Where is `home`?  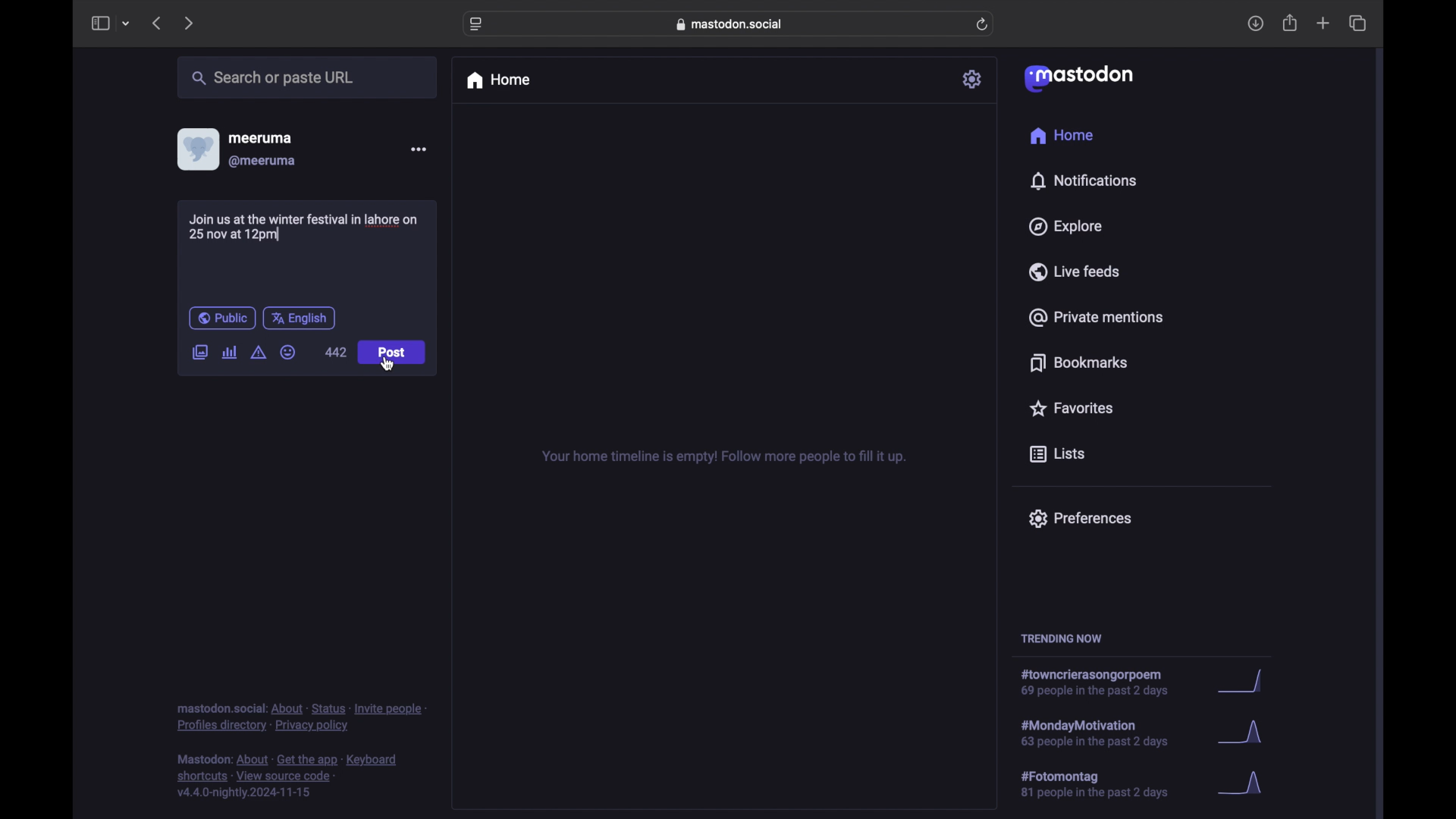
home is located at coordinates (1063, 138).